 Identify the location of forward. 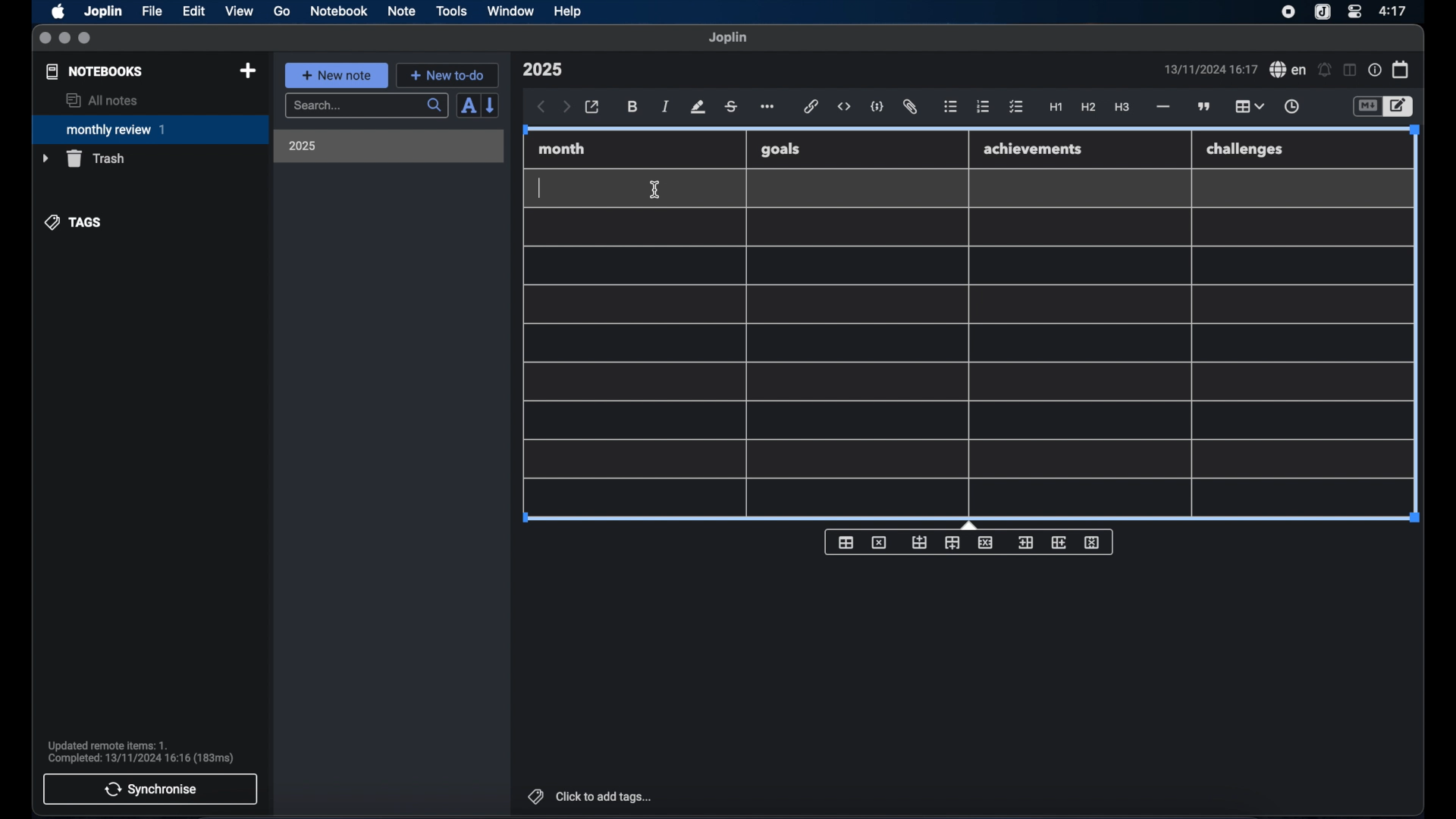
(566, 108).